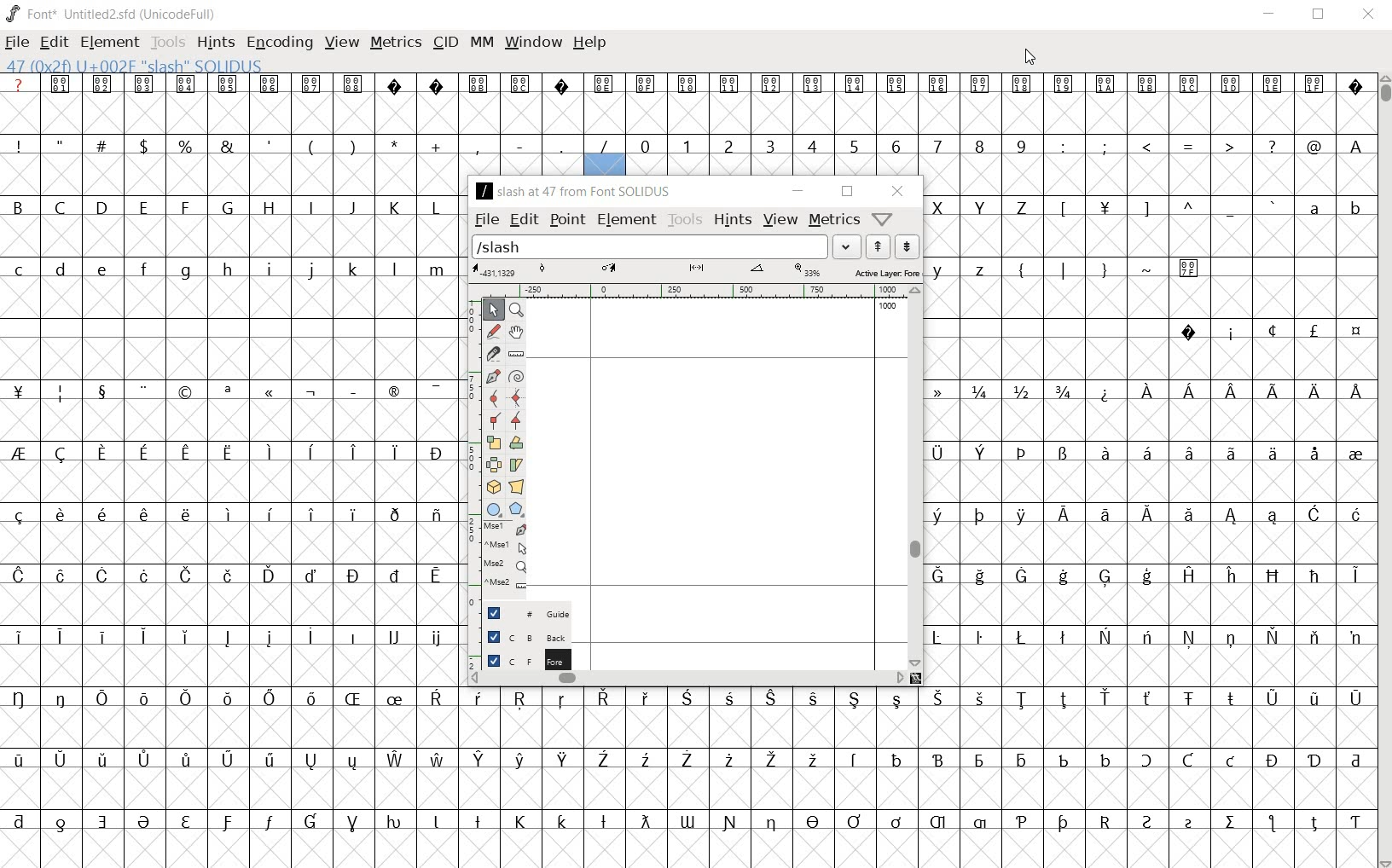 The height and width of the screenshot is (868, 1392). Describe the element at coordinates (590, 43) in the screenshot. I see `HELP` at that location.